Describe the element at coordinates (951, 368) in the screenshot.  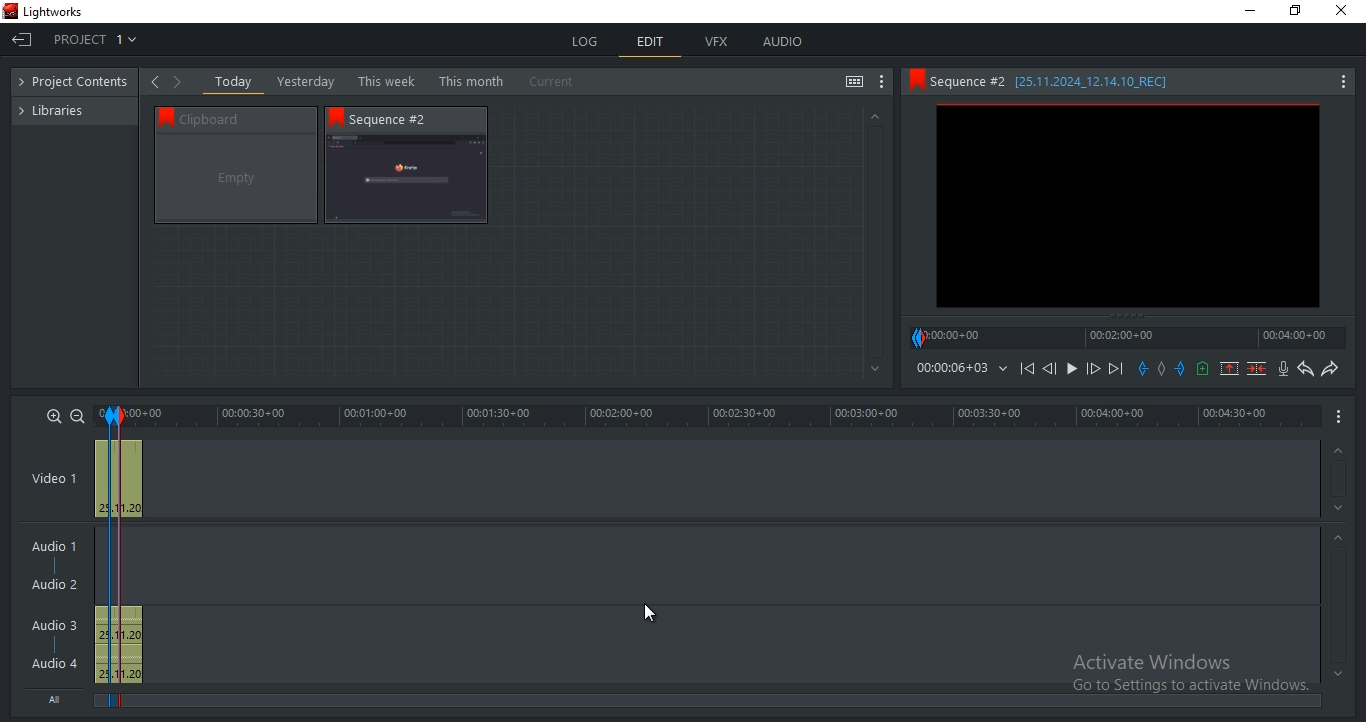
I see `timeline` at that location.